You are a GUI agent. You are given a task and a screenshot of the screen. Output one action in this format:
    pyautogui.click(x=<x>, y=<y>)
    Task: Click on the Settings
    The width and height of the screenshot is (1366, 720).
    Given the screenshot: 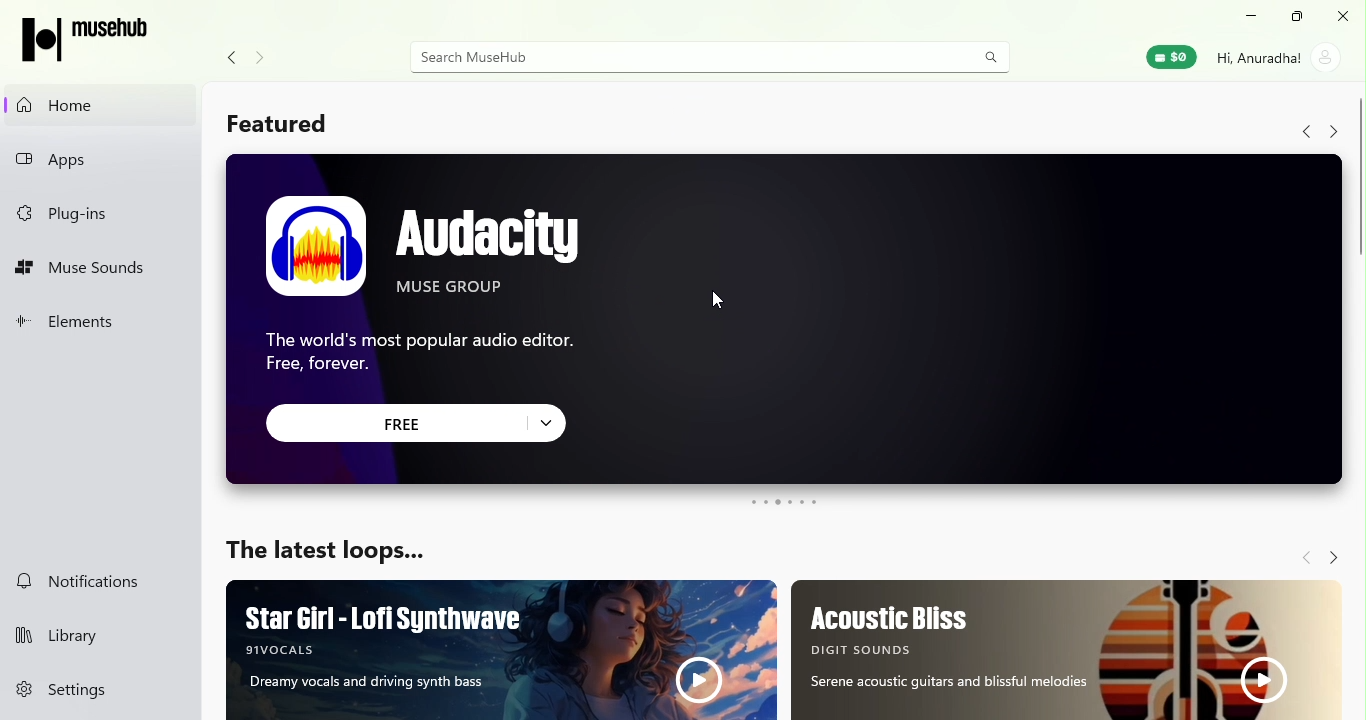 What is the action you would take?
    pyautogui.click(x=96, y=695)
    